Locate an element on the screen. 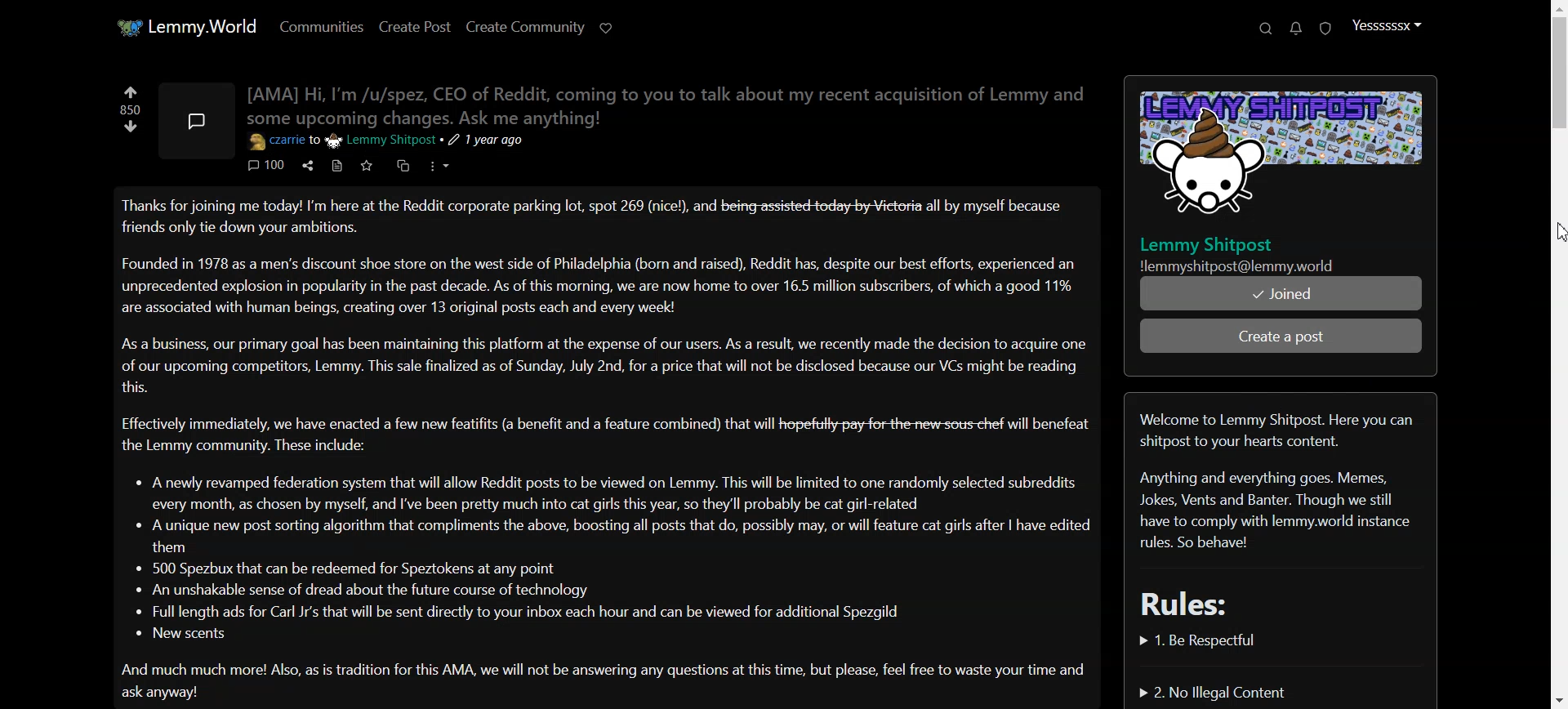 The width and height of the screenshot is (1568, 709). Downvote is located at coordinates (132, 127).